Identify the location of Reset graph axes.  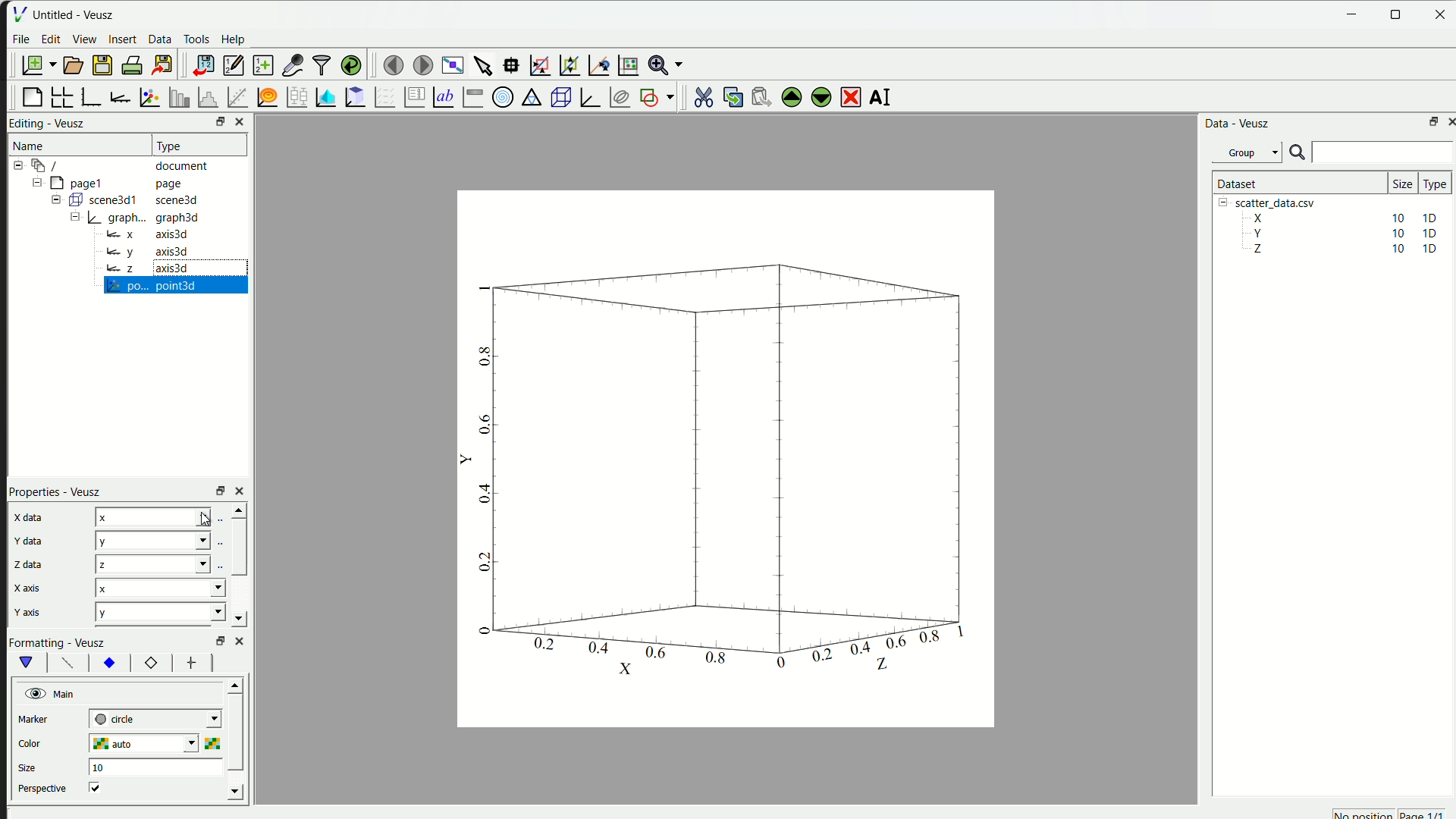
(627, 63).